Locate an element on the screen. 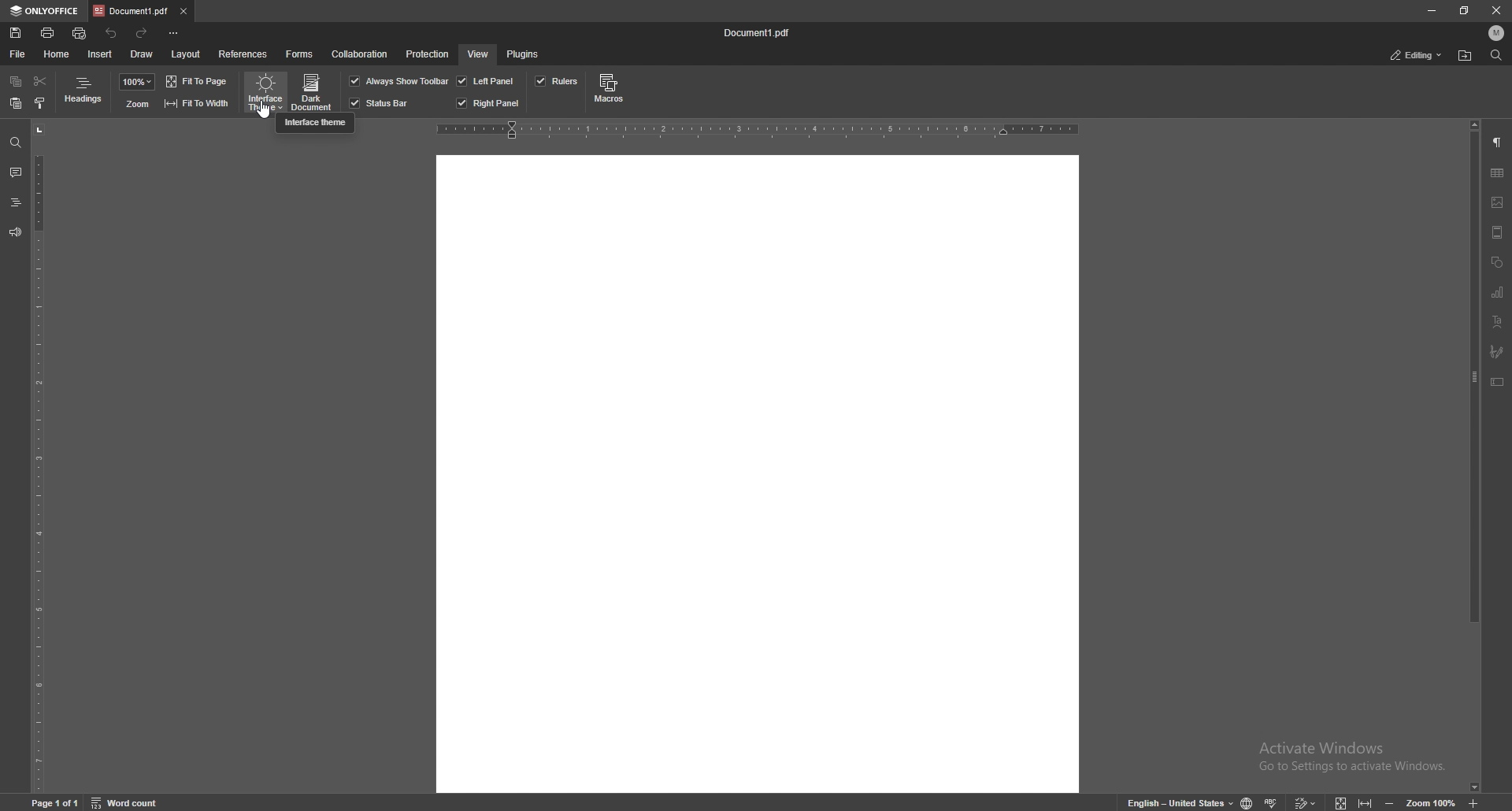  cursor is located at coordinates (265, 113).